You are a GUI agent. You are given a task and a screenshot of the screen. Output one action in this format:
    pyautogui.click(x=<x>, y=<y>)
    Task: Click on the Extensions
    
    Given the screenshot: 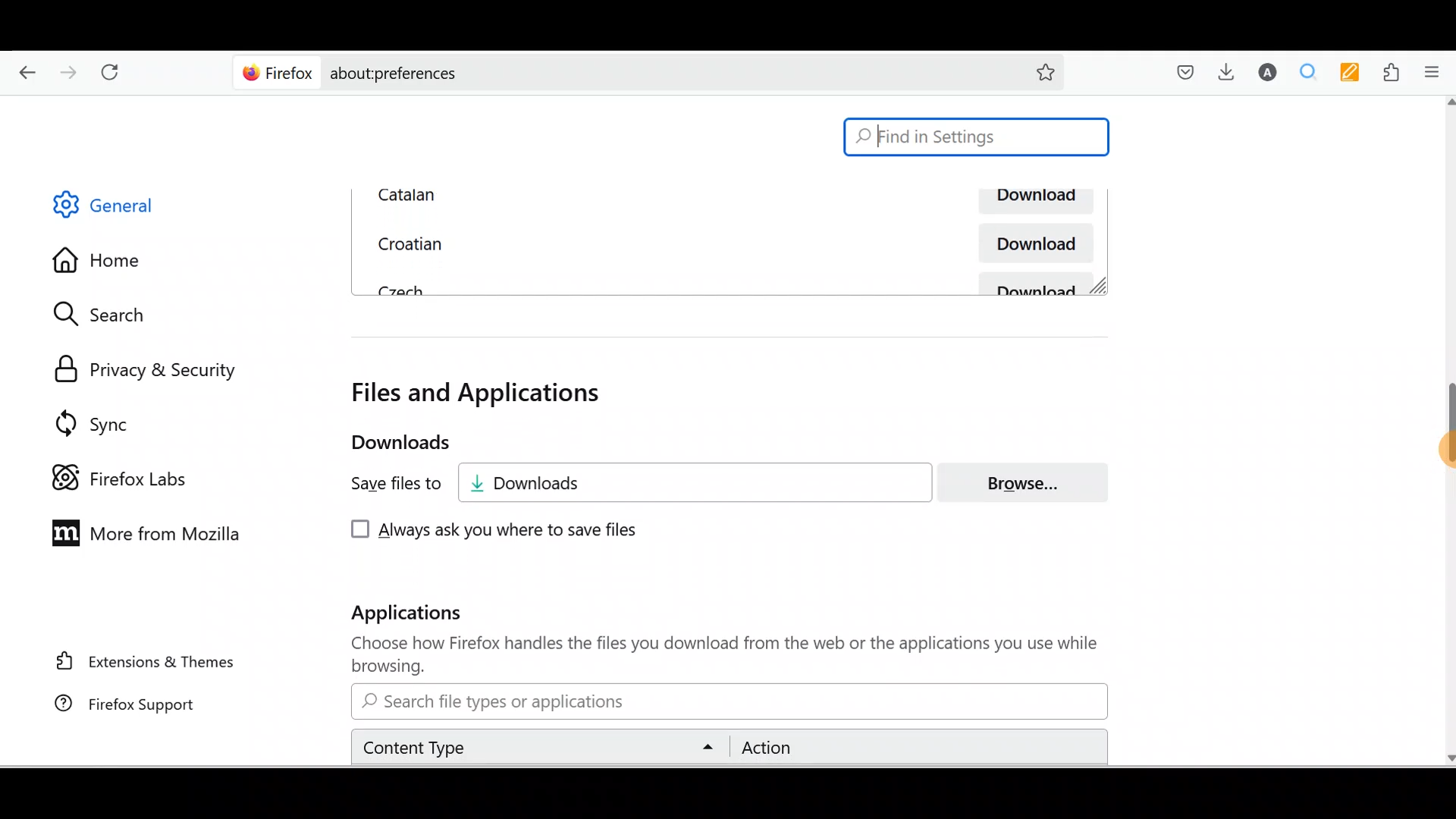 What is the action you would take?
    pyautogui.click(x=1394, y=71)
    